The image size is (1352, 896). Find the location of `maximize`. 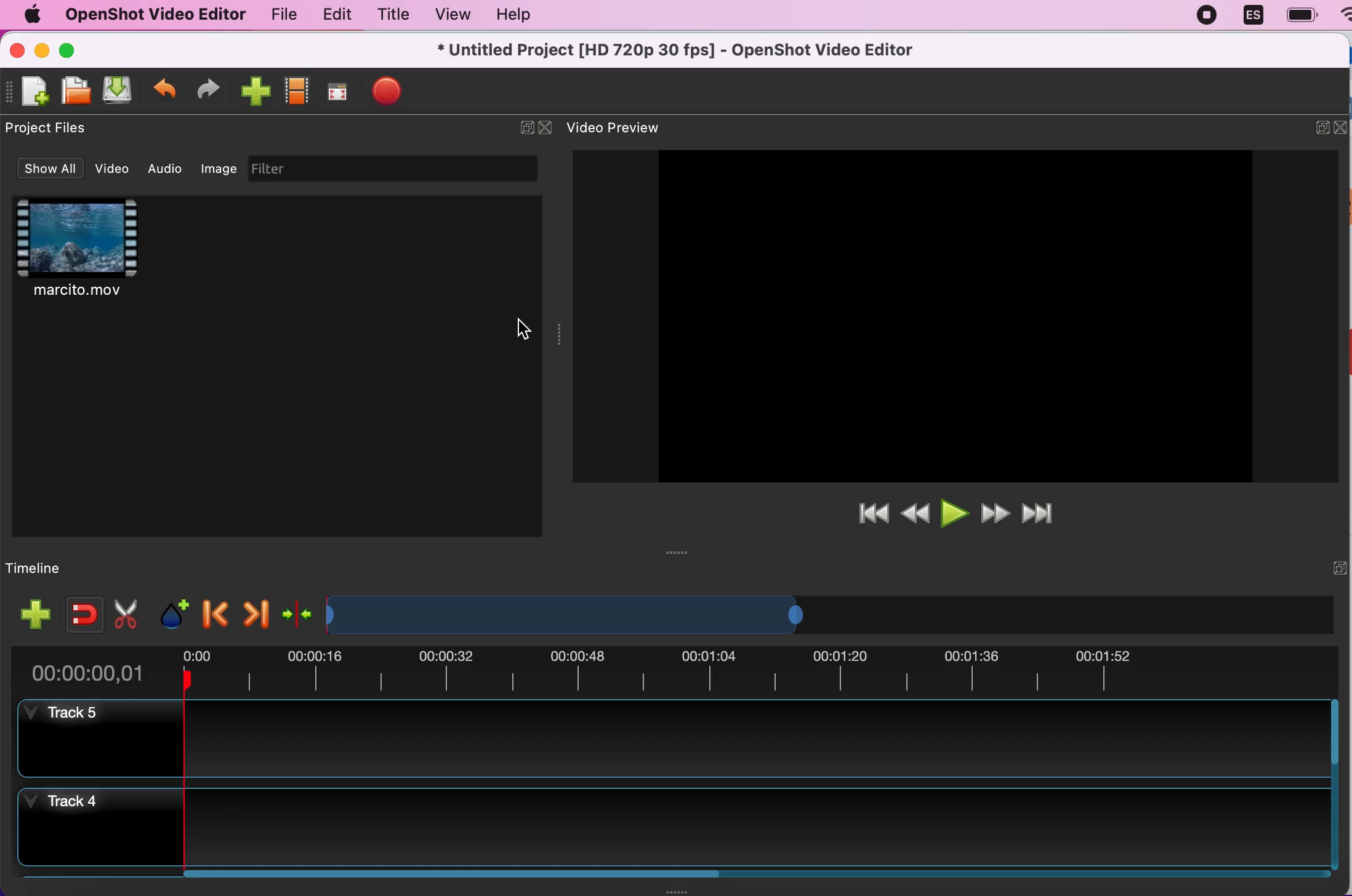

maximize is located at coordinates (68, 51).